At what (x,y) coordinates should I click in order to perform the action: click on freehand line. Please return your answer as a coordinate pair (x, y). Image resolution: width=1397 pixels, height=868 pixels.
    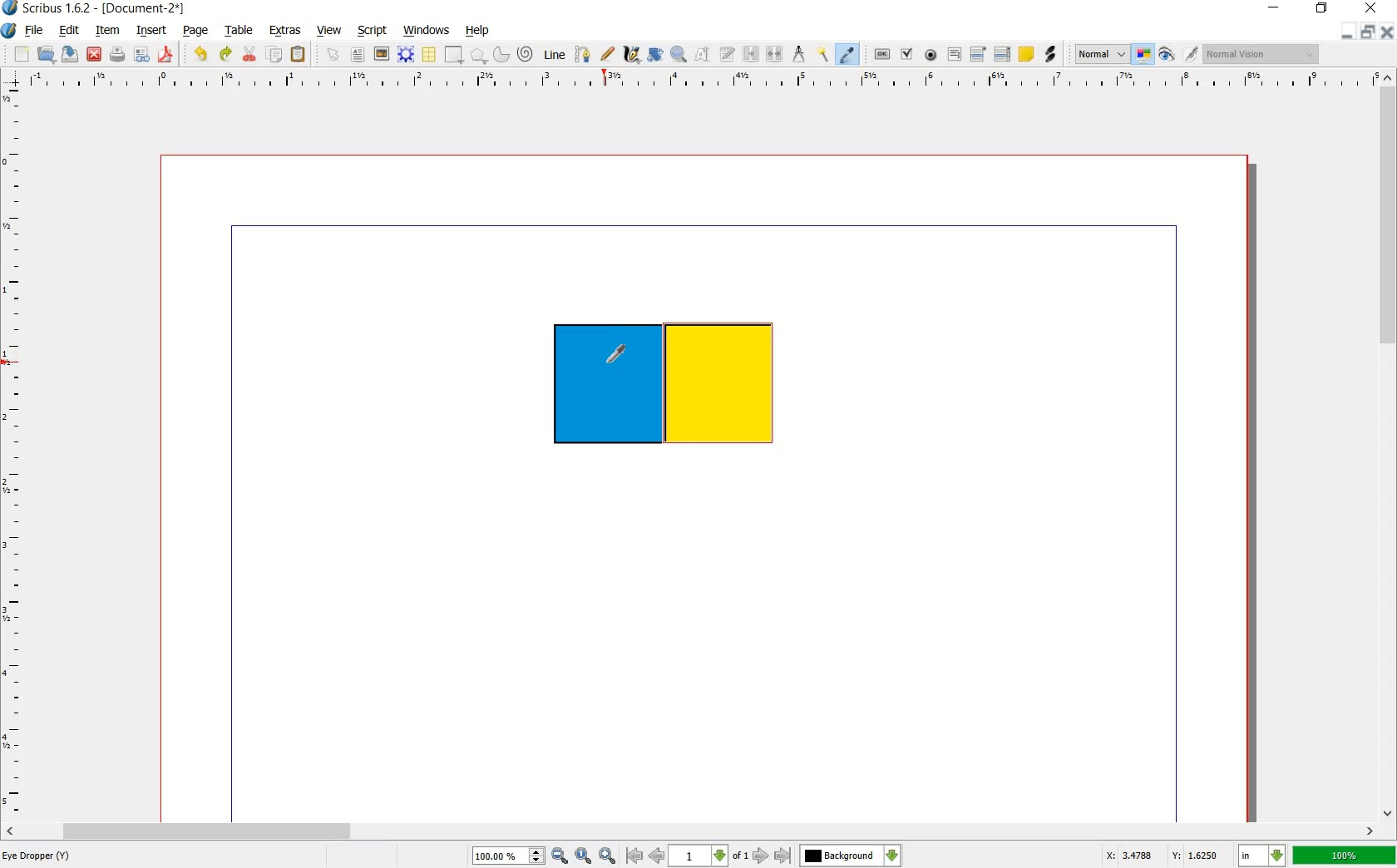
    Looking at the image, I should click on (608, 52).